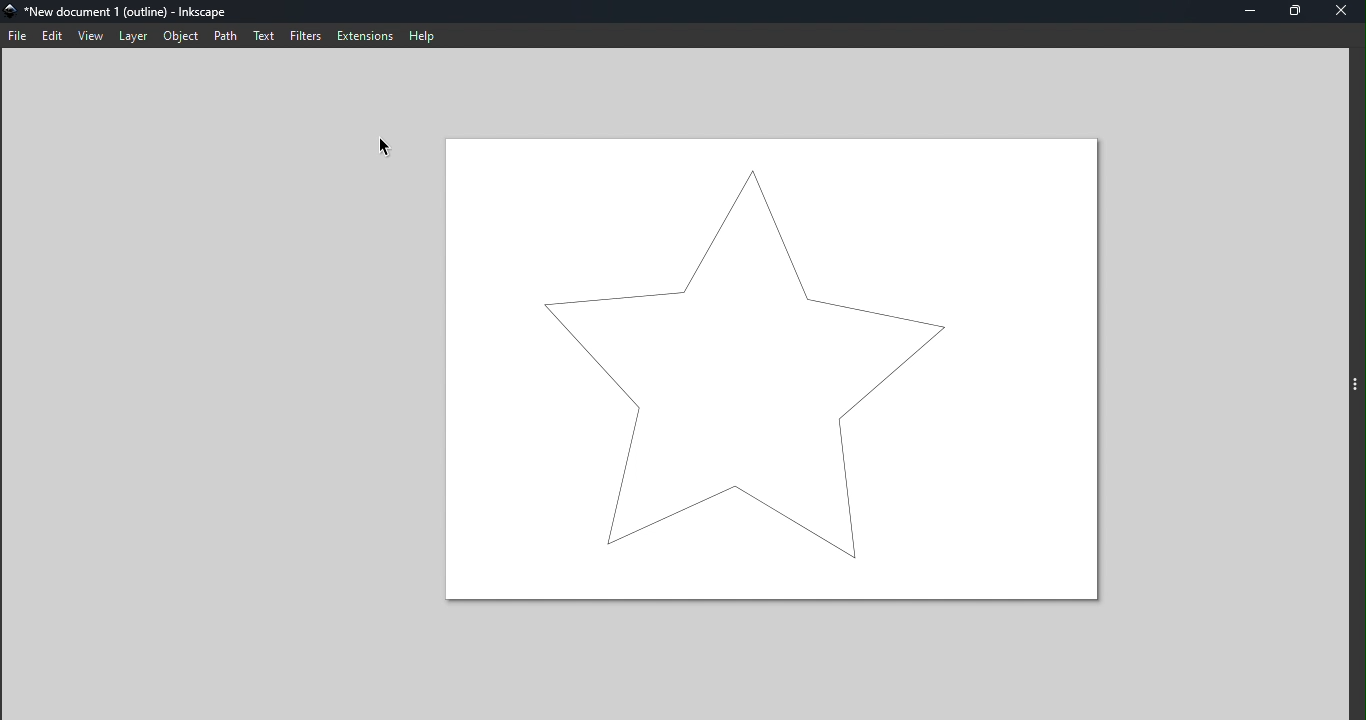  Describe the element at coordinates (90, 36) in the screenshot. I see `View` at that location.